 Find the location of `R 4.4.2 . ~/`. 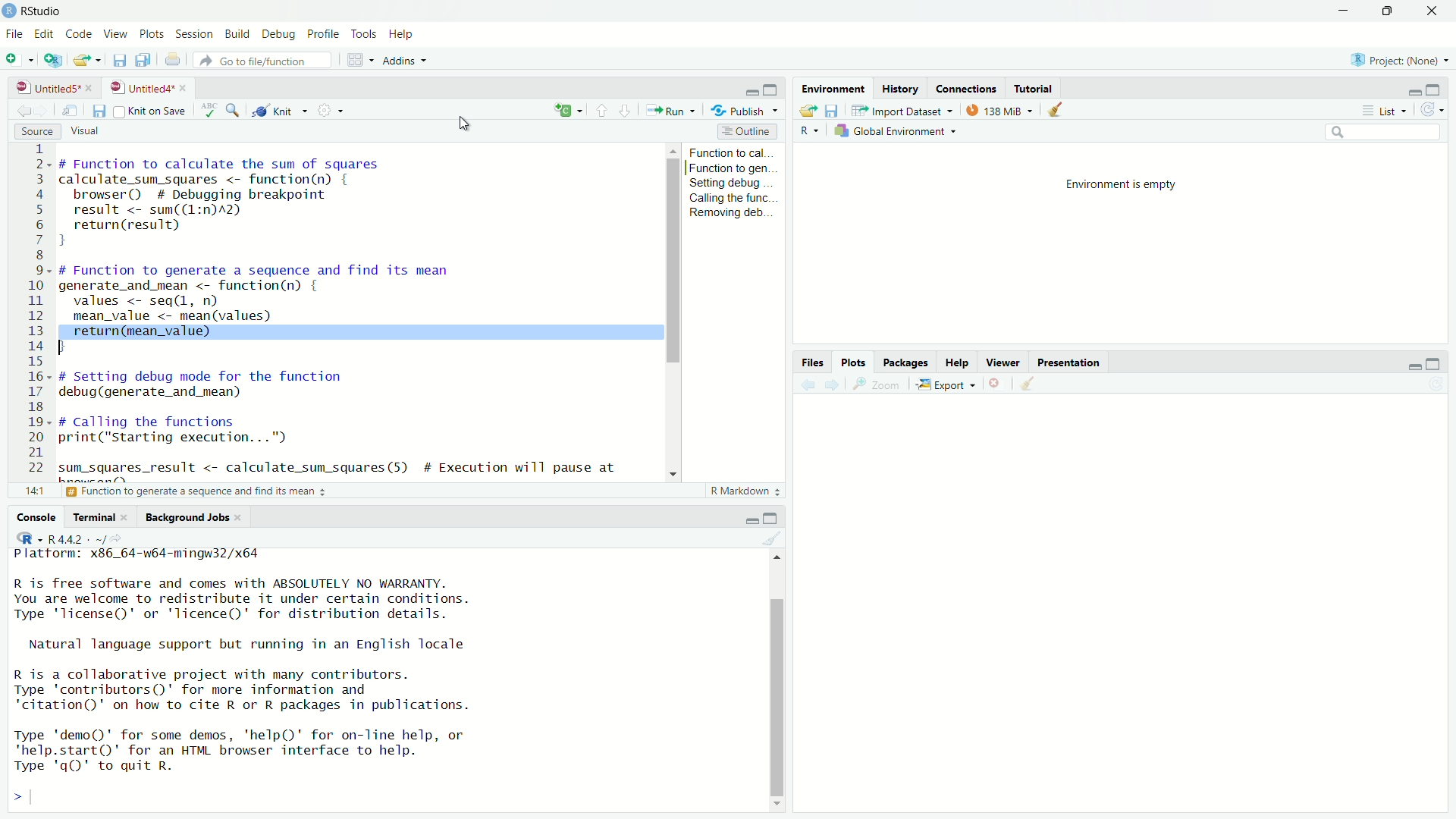

R 4.4.2 . ~/ is located at coordinates (77, 538).